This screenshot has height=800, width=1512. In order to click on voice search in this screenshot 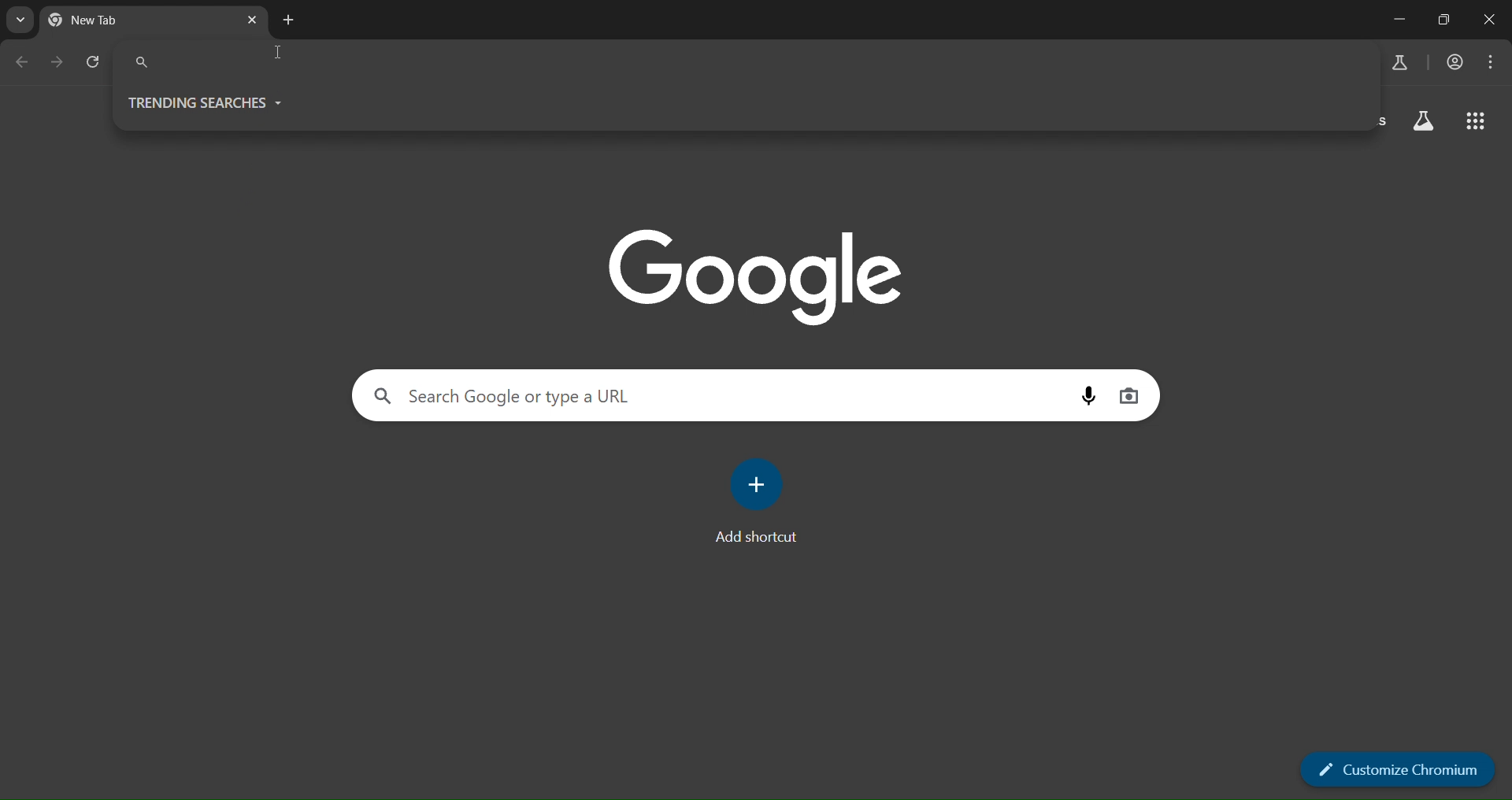, I will do `click(1091, 395)`.